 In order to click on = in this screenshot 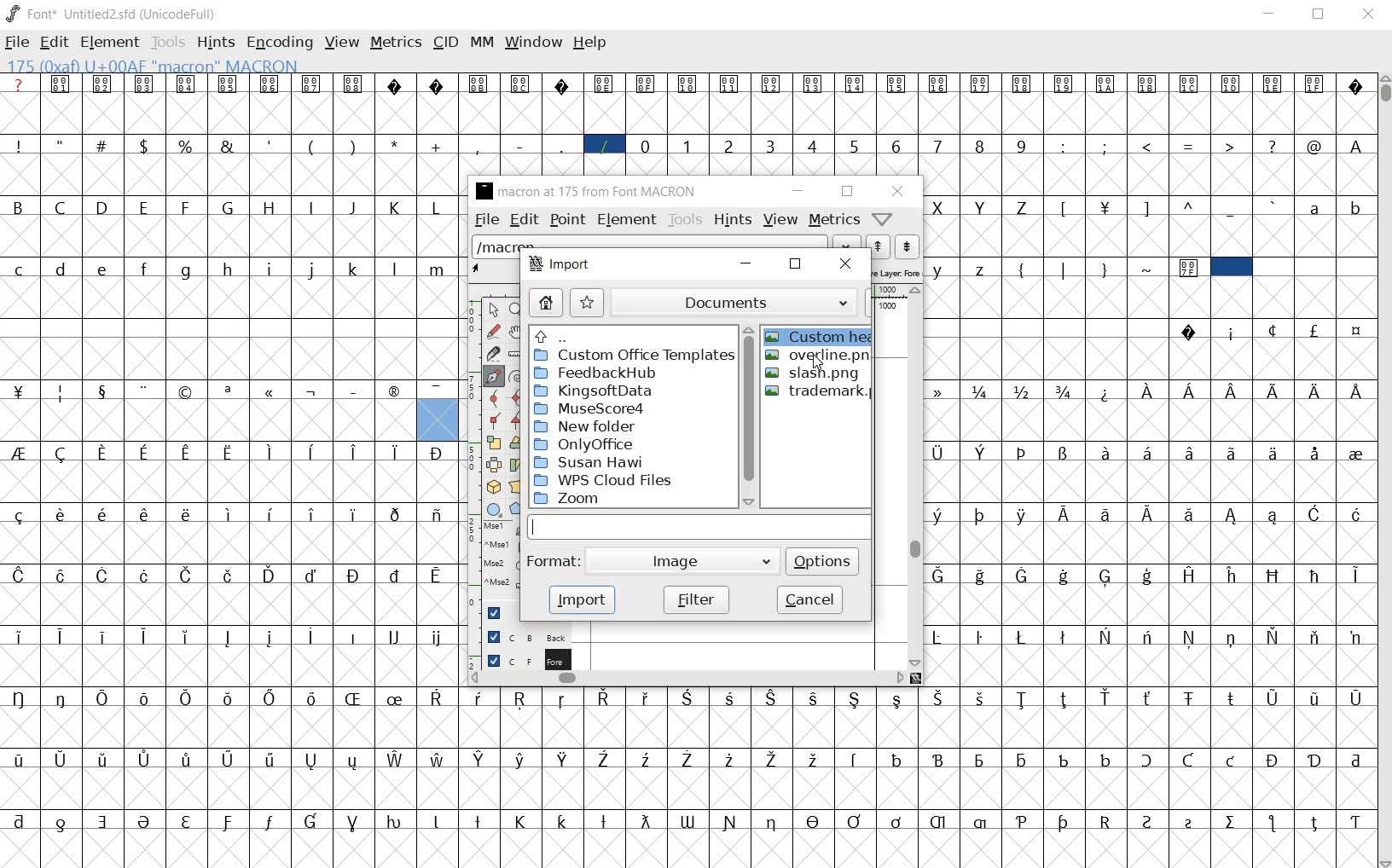, I will do `click(1192, 145)`.